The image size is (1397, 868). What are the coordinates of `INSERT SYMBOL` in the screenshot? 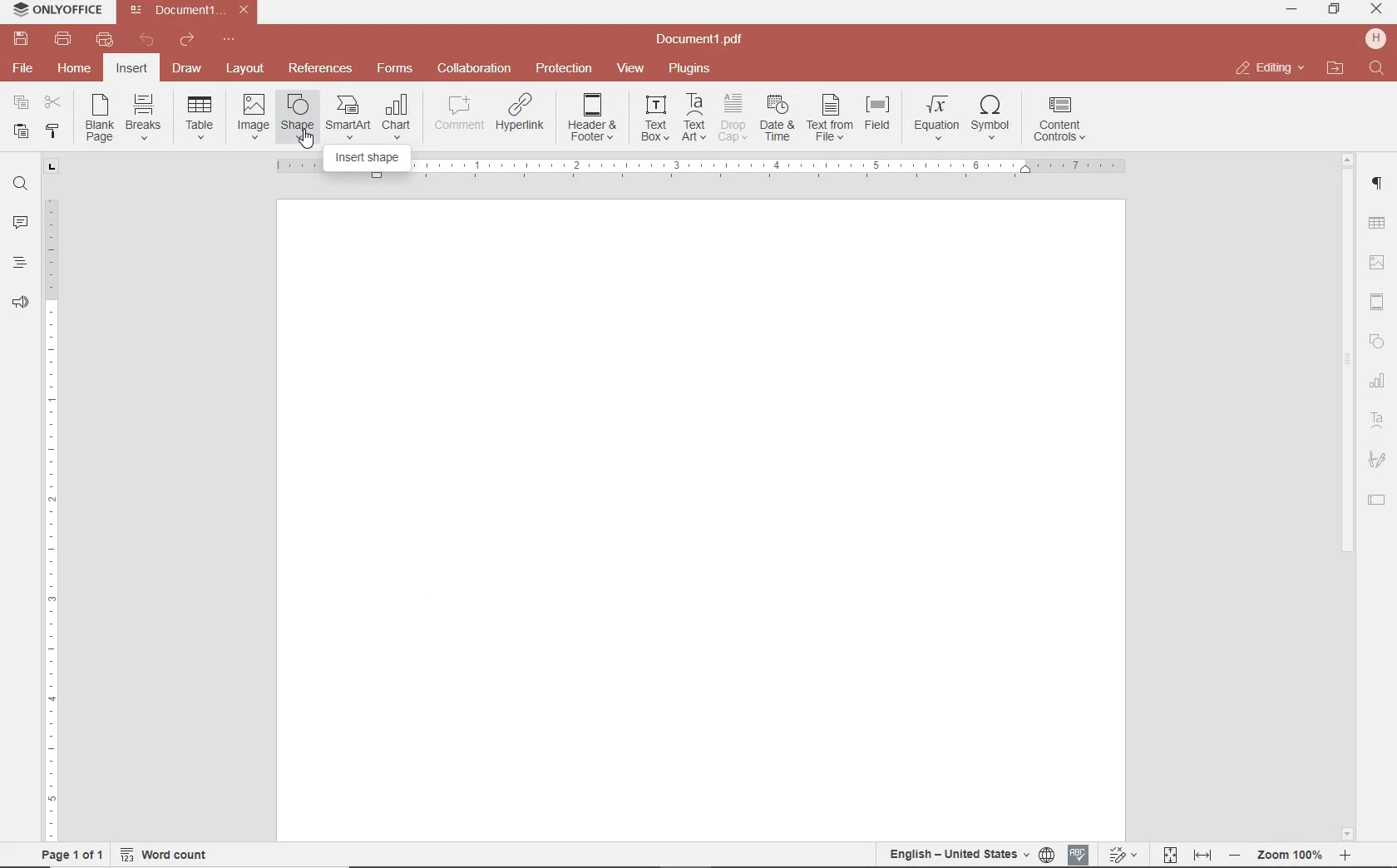 It's located at (990, 116).